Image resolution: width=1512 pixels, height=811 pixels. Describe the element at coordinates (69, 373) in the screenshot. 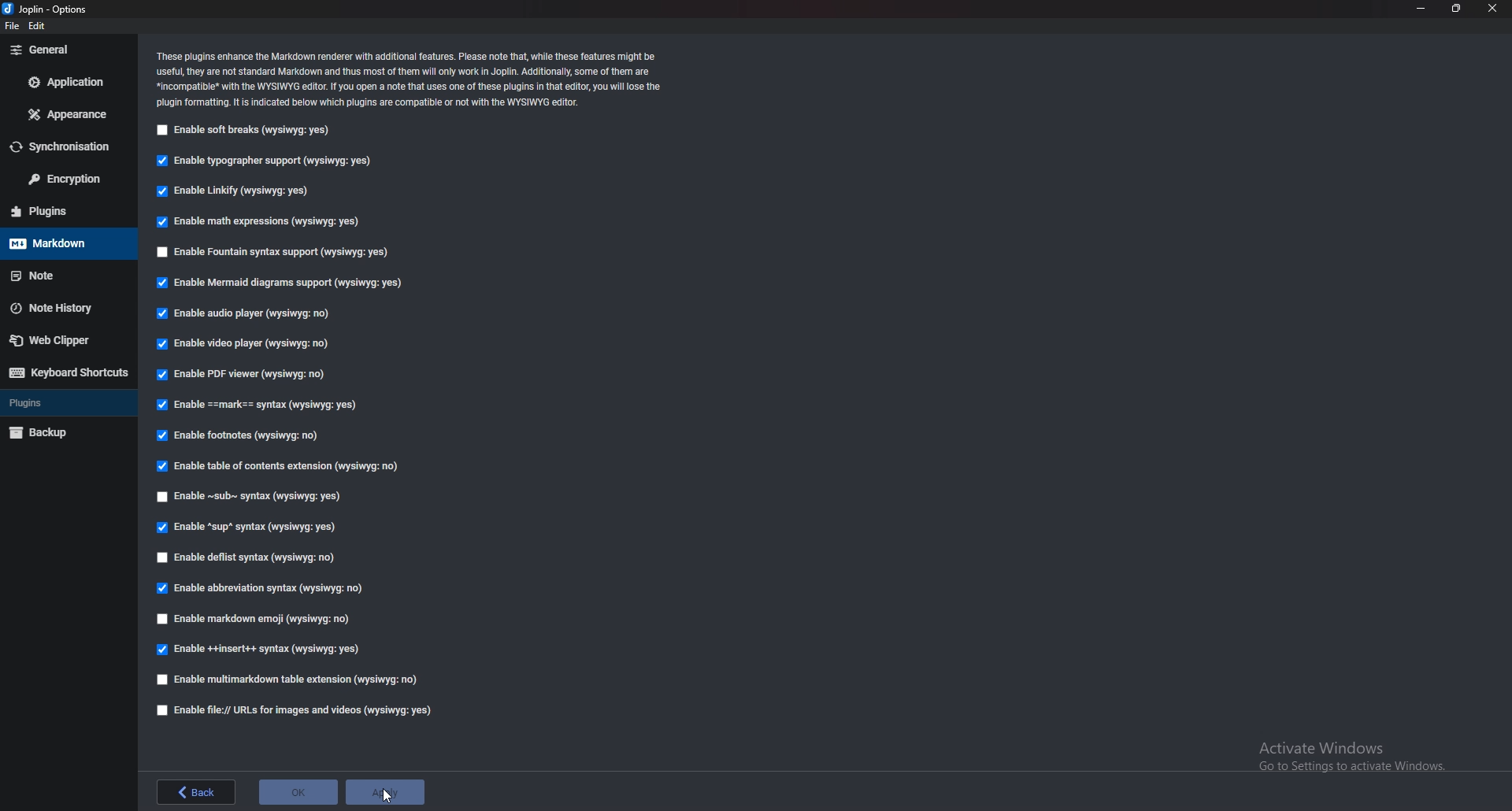

I see `keyboard shortcuts` at that location.